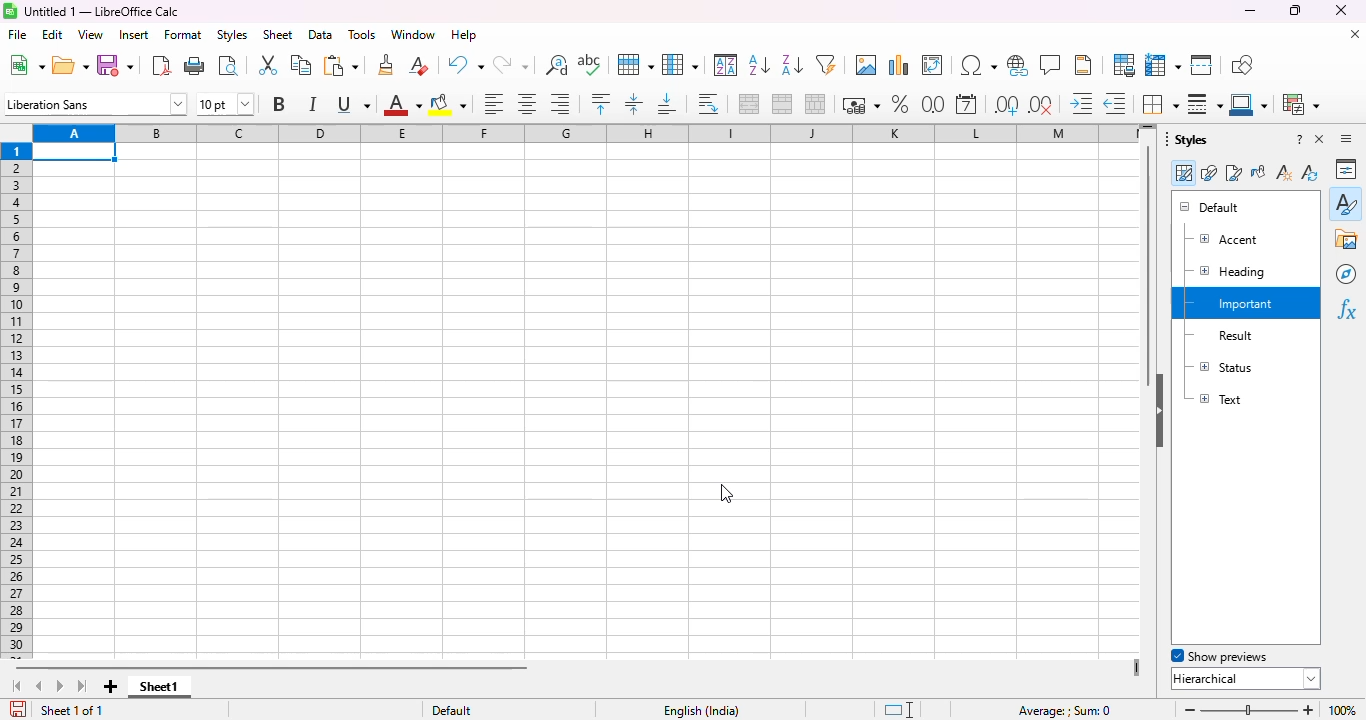 The height and width of the screenshot is (720, 1366). What do you see at coordinates (159, 687) in the screenshot?
I see `sheet1` at bounding box center [159, 687].